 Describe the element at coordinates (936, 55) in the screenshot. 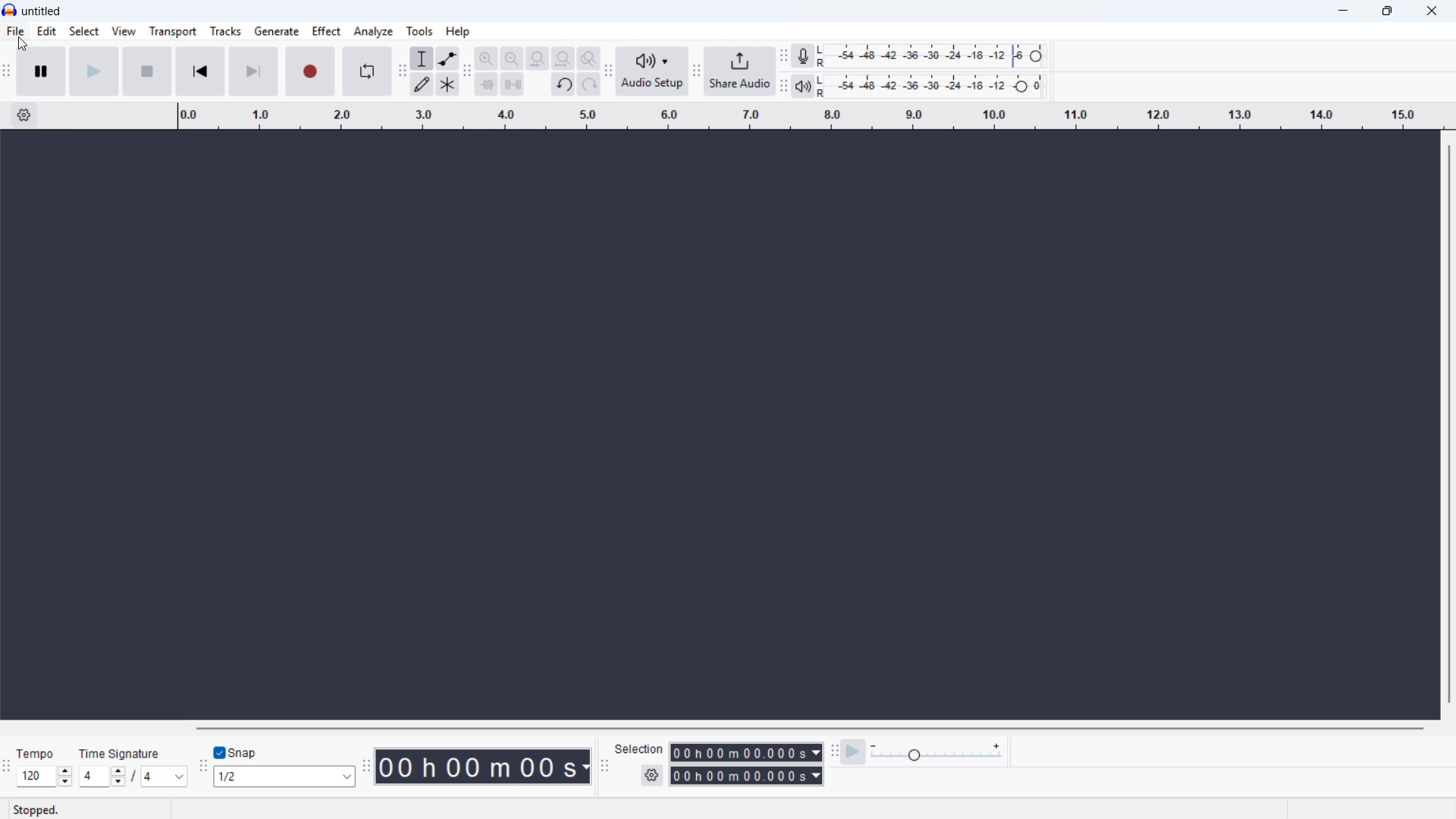

I see `Recording level ` at that location.